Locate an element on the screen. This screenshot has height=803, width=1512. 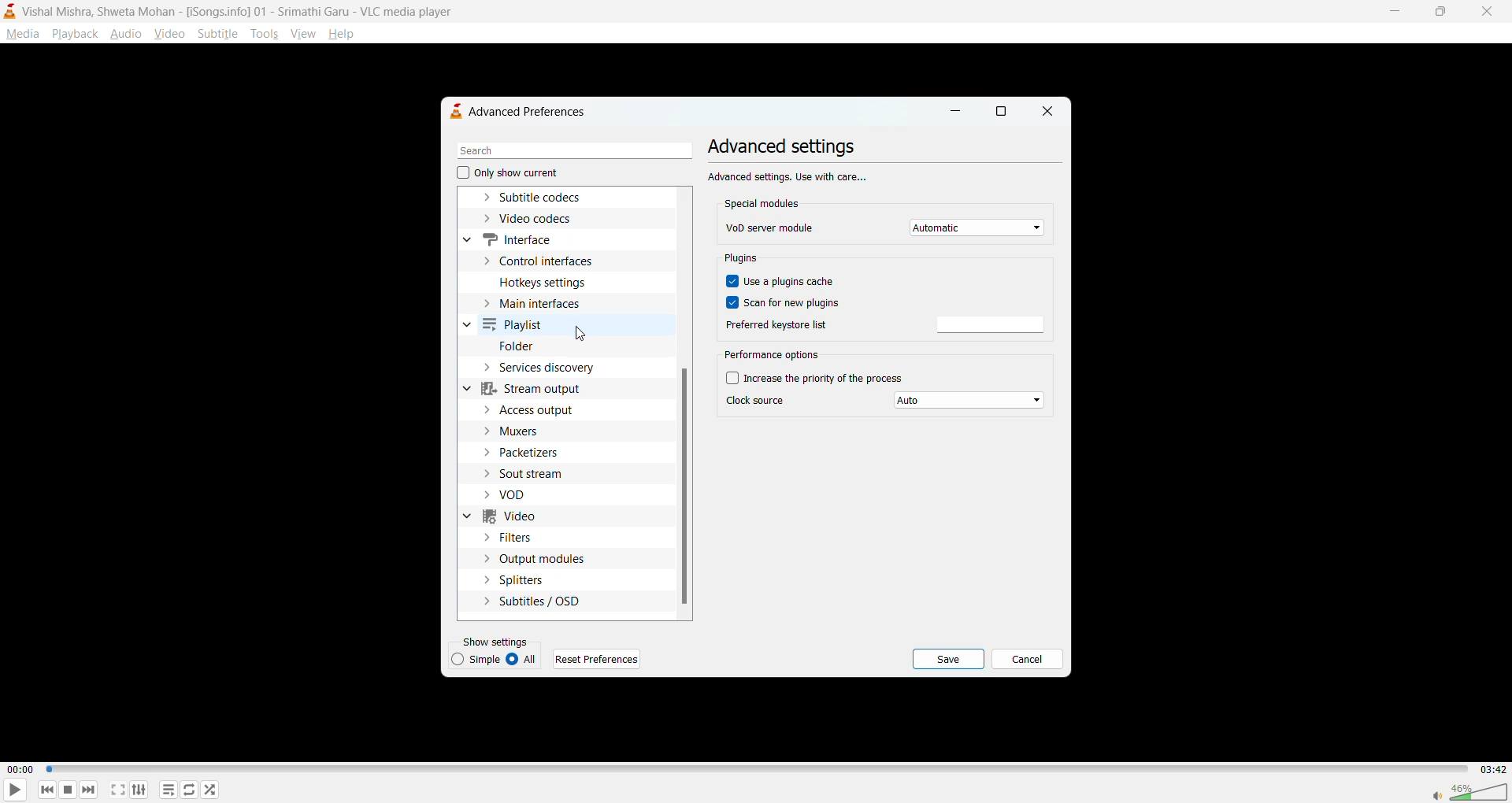
folder is located at coordinates (521, 347).